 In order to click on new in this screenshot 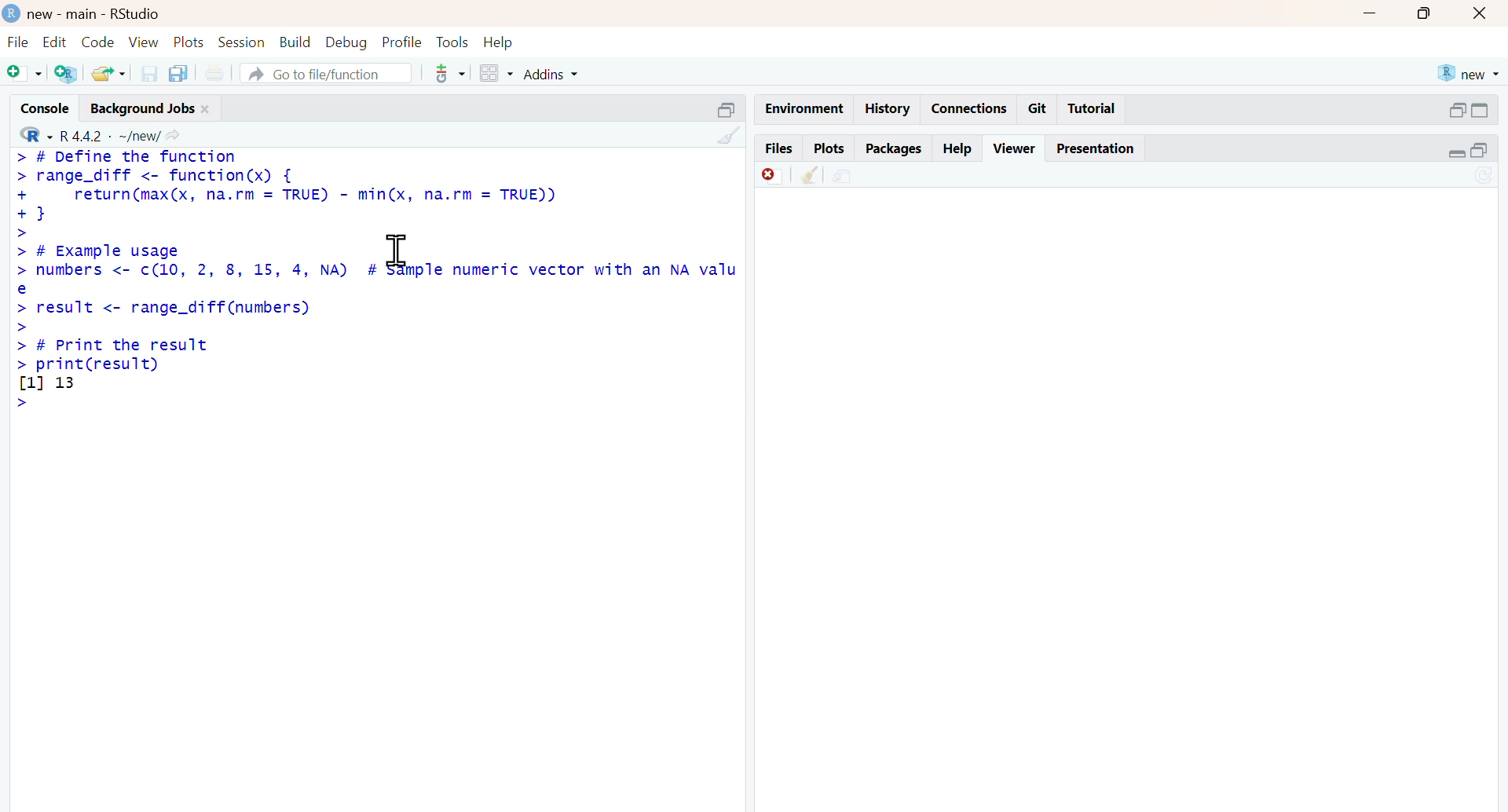, I will do `click(1470, 74)`.